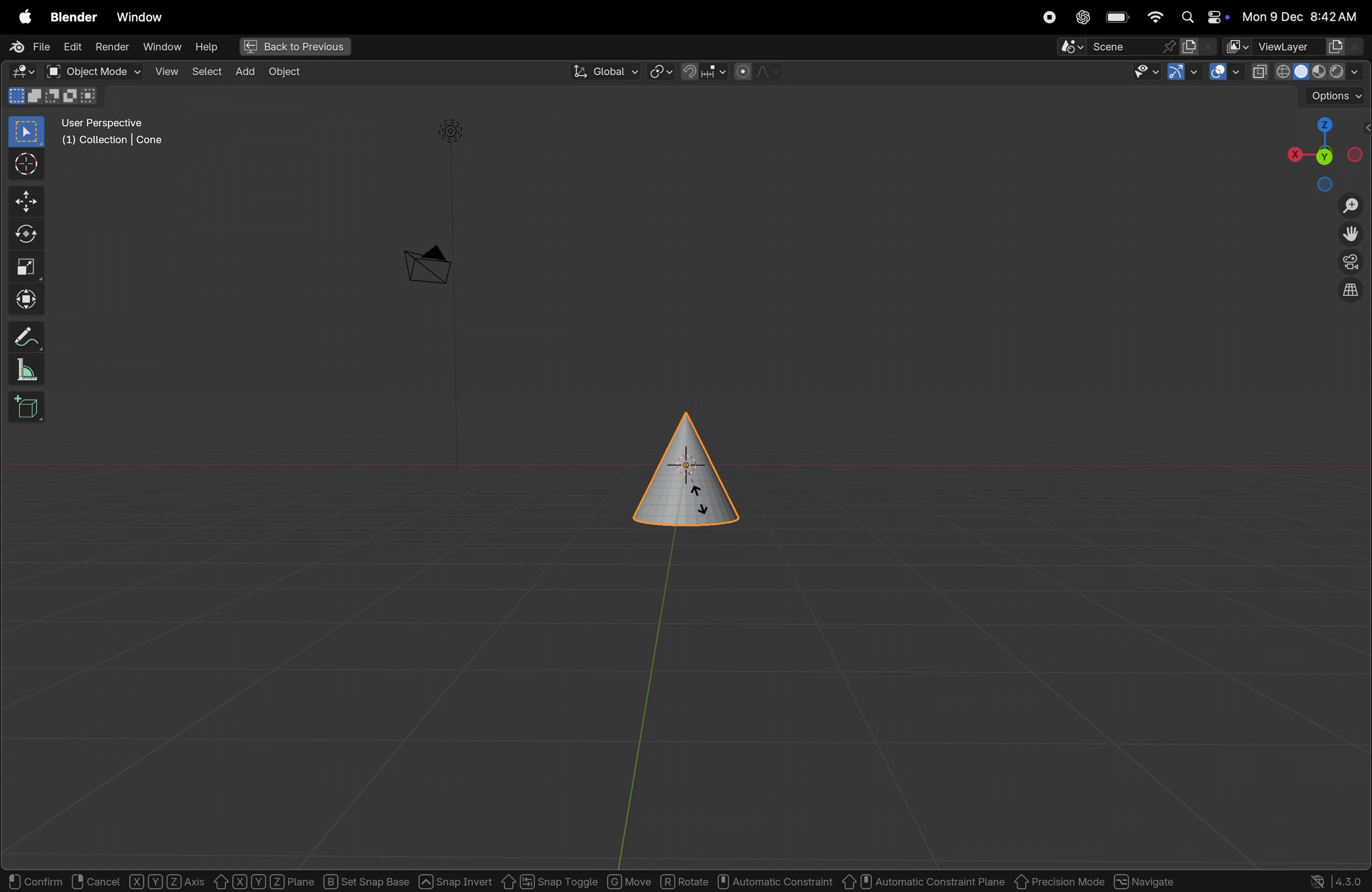  What do you see at coordinates (114, 130) in the screenshot?
I see `user perspective` at bounding box center [114, 130].